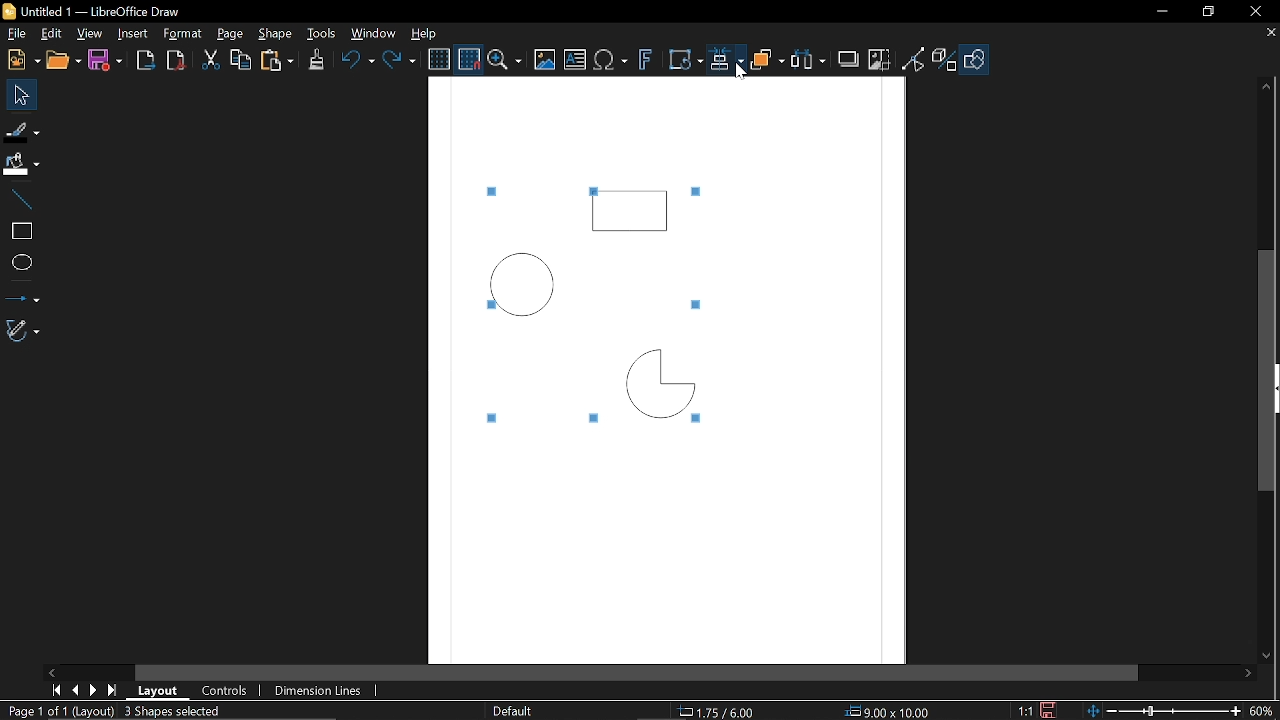 Image resolution: width=1280 pixels, height=720 pixels. Describe the element at coordinates (175, 61) in the screenshot. I see `Export as pdf` at that location.